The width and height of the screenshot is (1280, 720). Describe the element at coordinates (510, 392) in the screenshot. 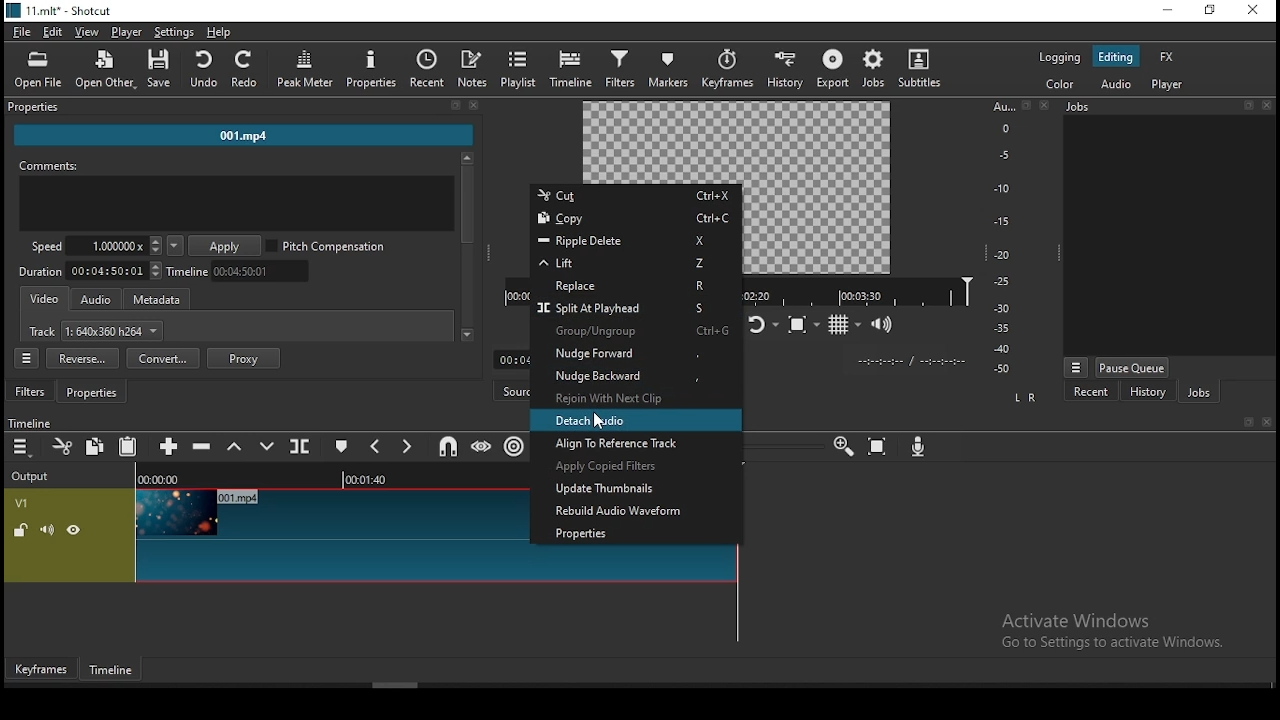

I see `source` at that location.